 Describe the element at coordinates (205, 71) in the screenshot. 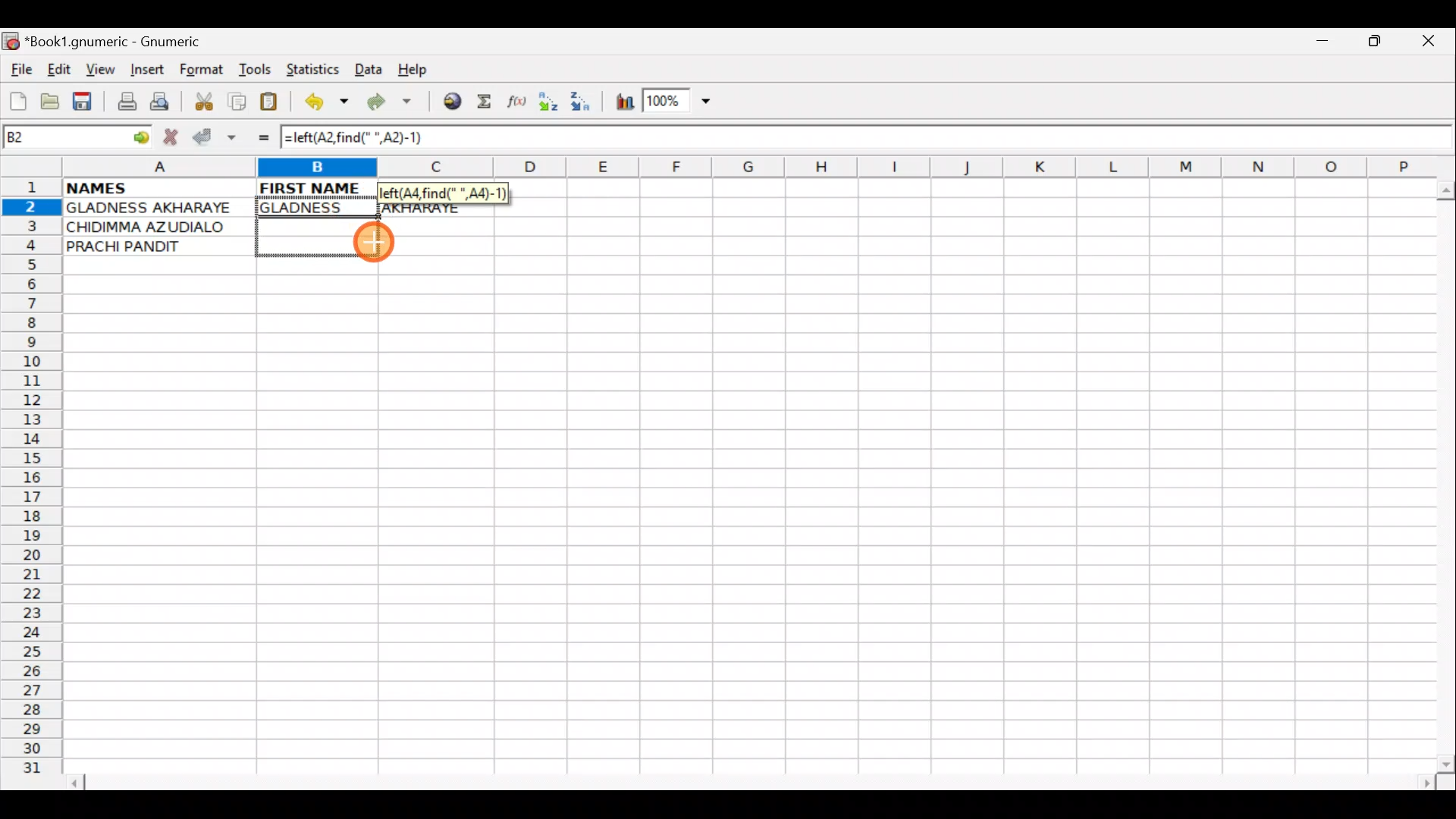

I see `Format` at that location.